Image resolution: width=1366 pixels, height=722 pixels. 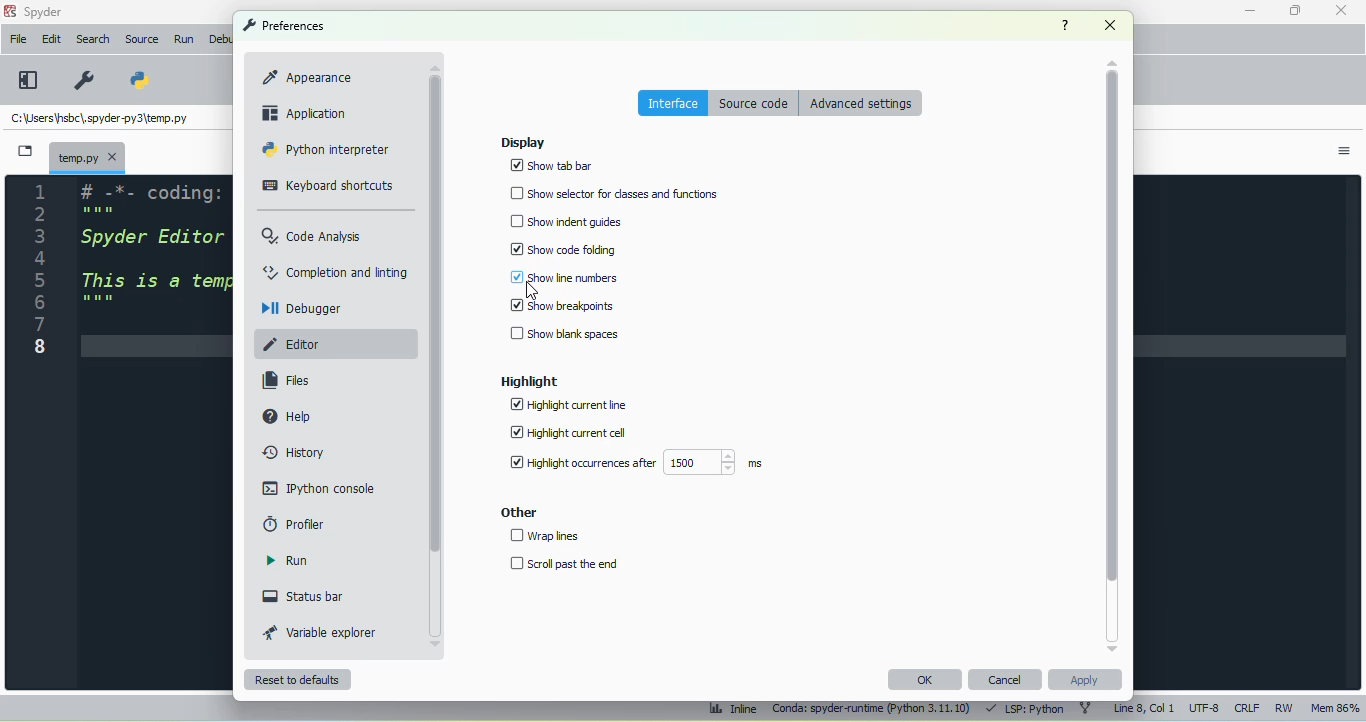 I want to click on advanced settings, so click(x=862, y=102).